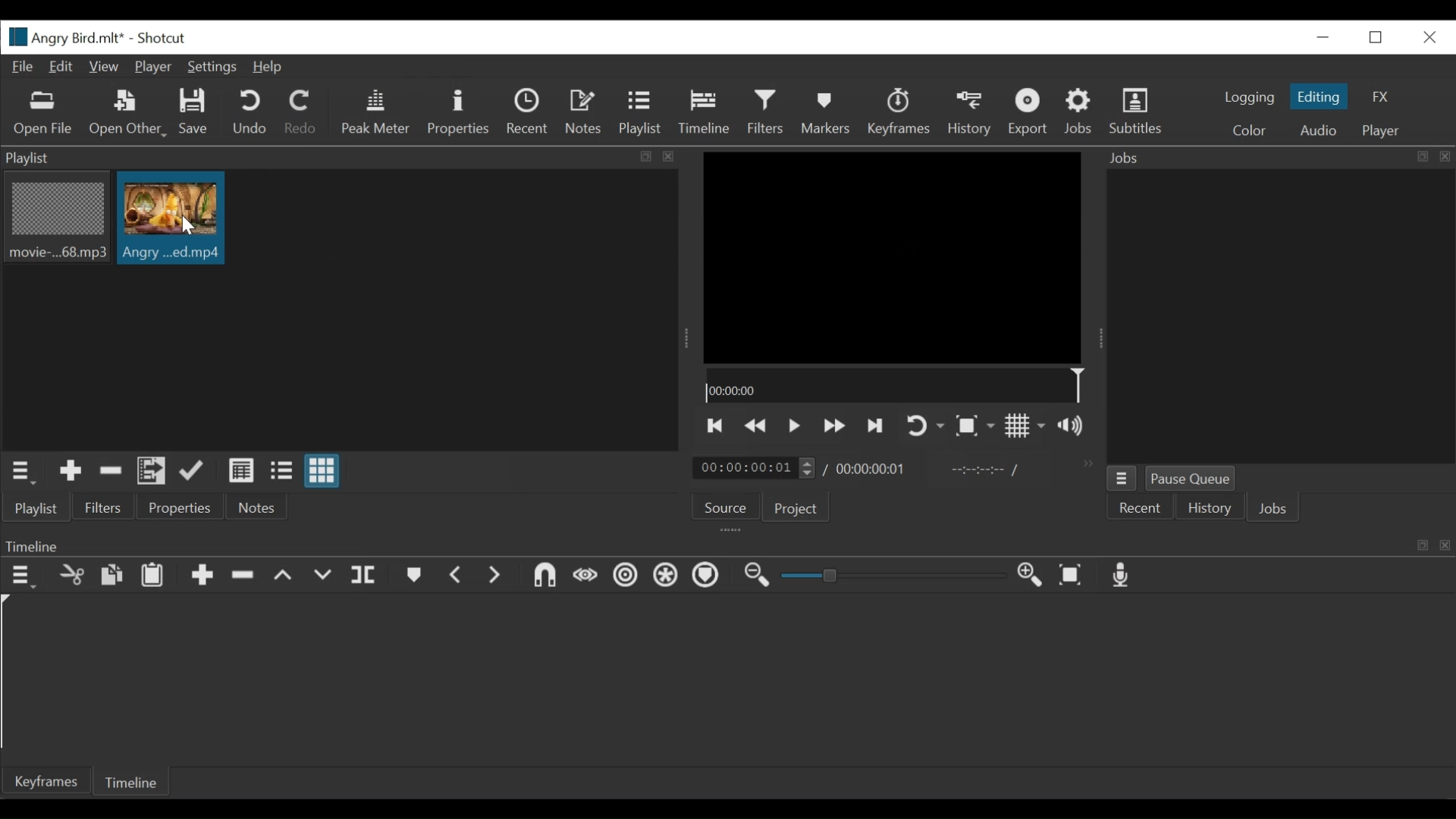 The width and height of the screenshot is (1456, 819). I want to click on Previous marker, so click(458, 576).